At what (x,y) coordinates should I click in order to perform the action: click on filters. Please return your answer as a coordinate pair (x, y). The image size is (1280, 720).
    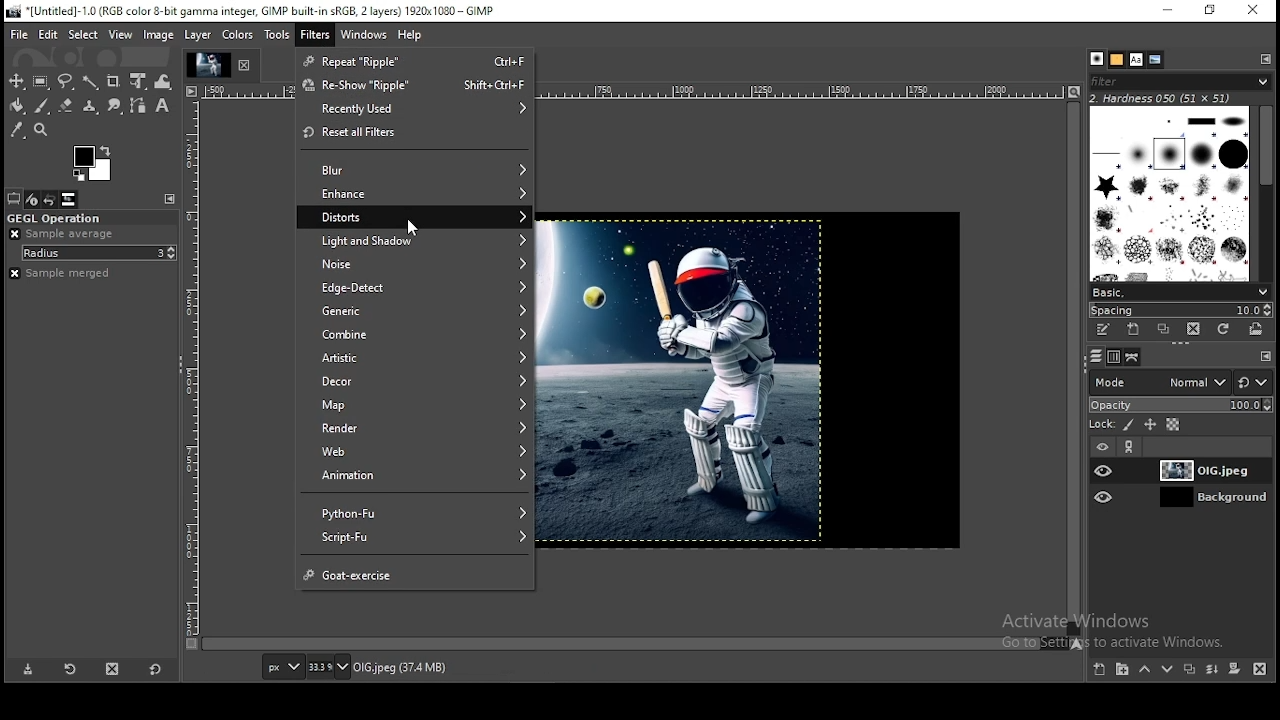
    Looking at the image, I should click on (315, 35).